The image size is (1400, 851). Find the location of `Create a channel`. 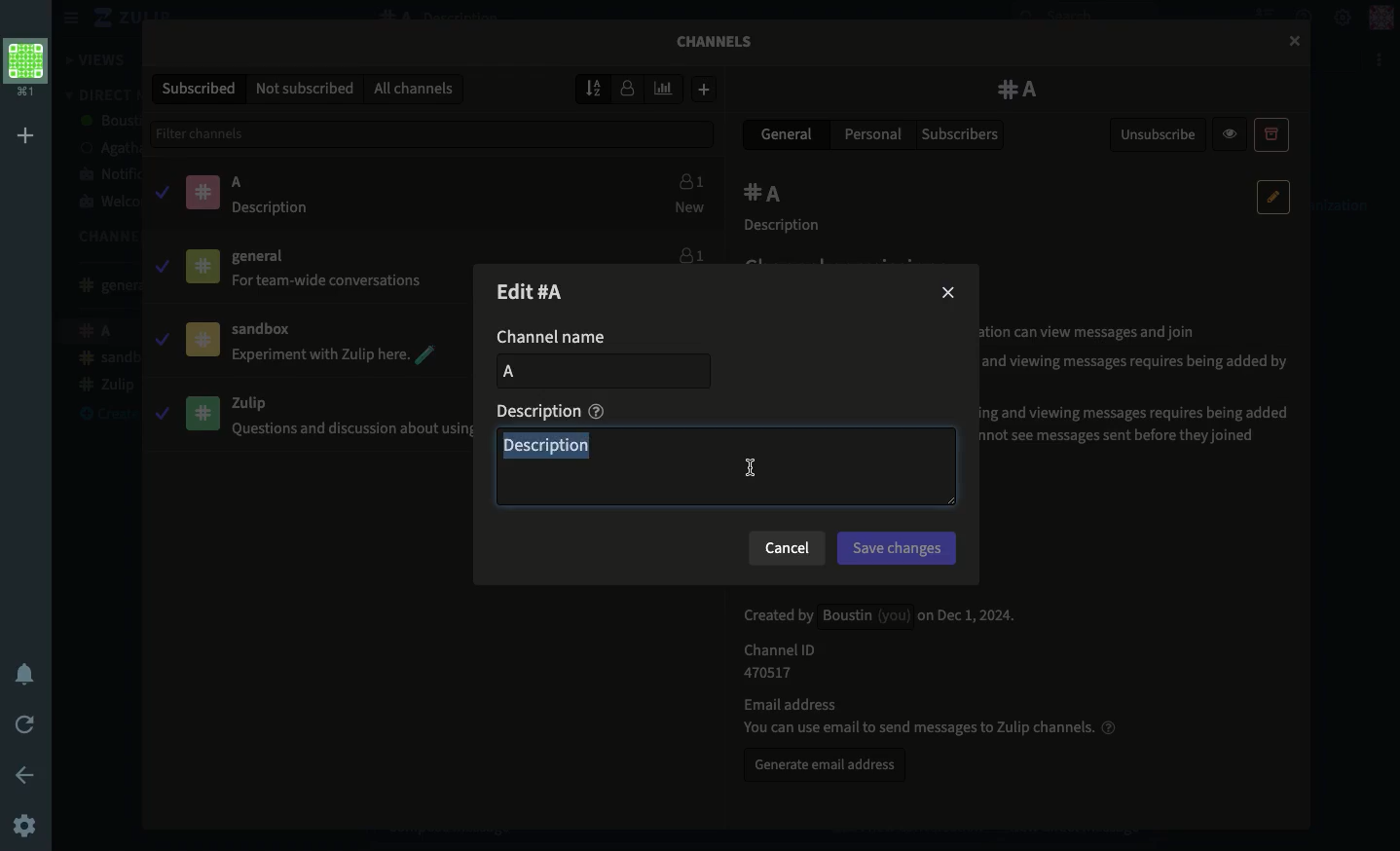

Create a channel is located at coordinates (102, 415).